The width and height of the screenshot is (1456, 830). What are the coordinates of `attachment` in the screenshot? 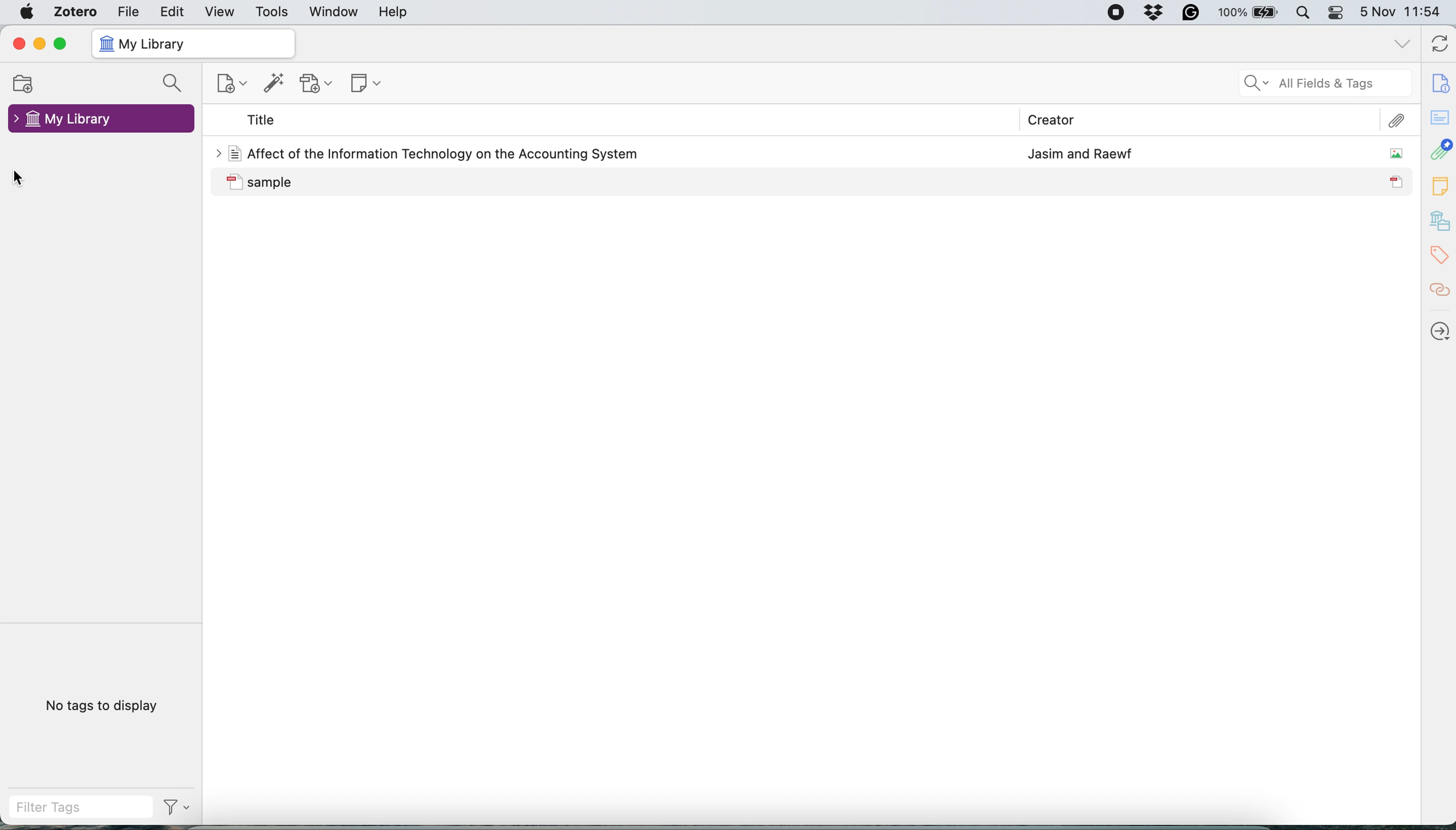 It's located at (1439, 150).